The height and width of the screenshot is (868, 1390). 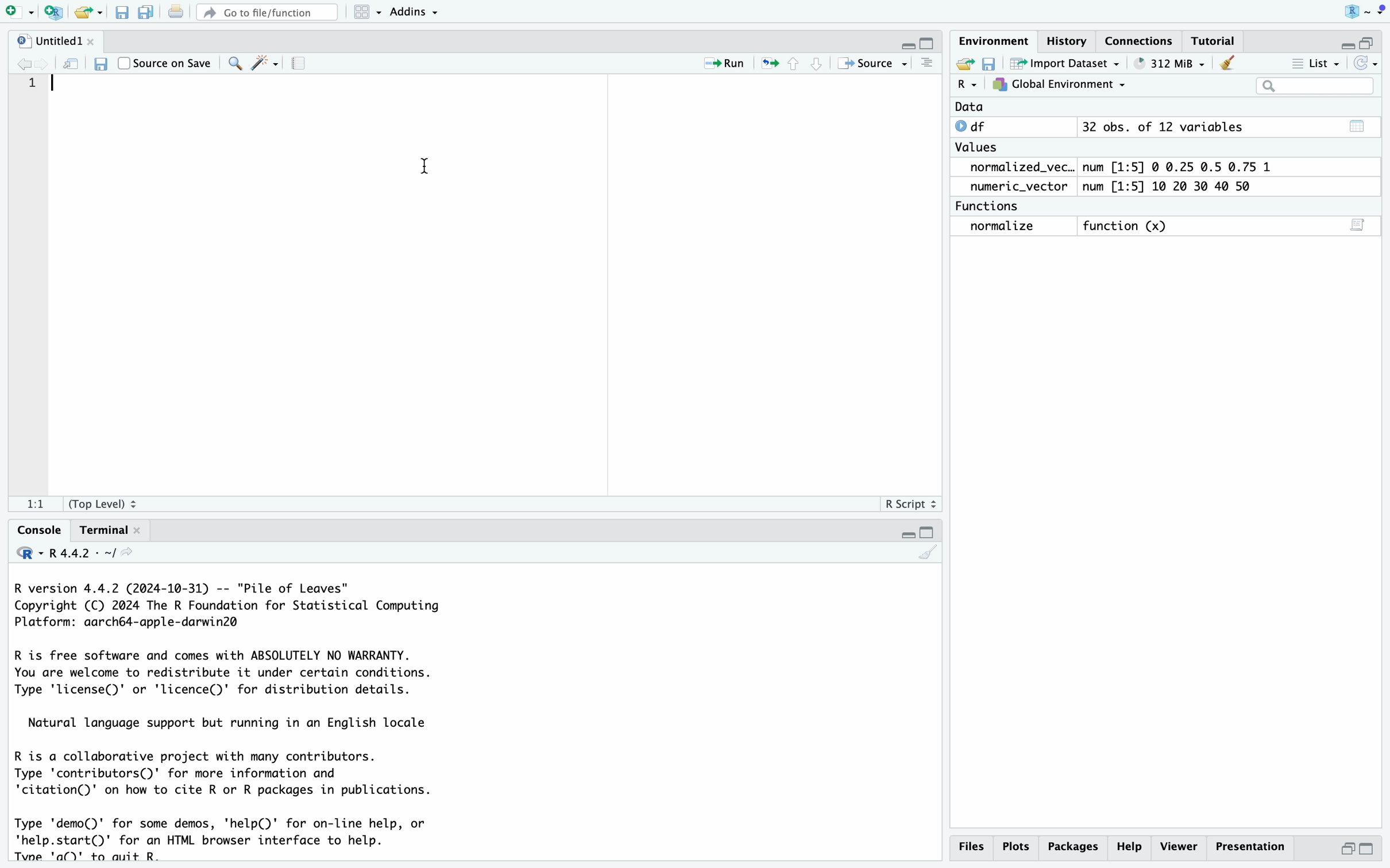 What do you see at coordinates (1064, 63) in the screenshot?
I see `~ Import Dataset ` at bounding box center [1064, 63].